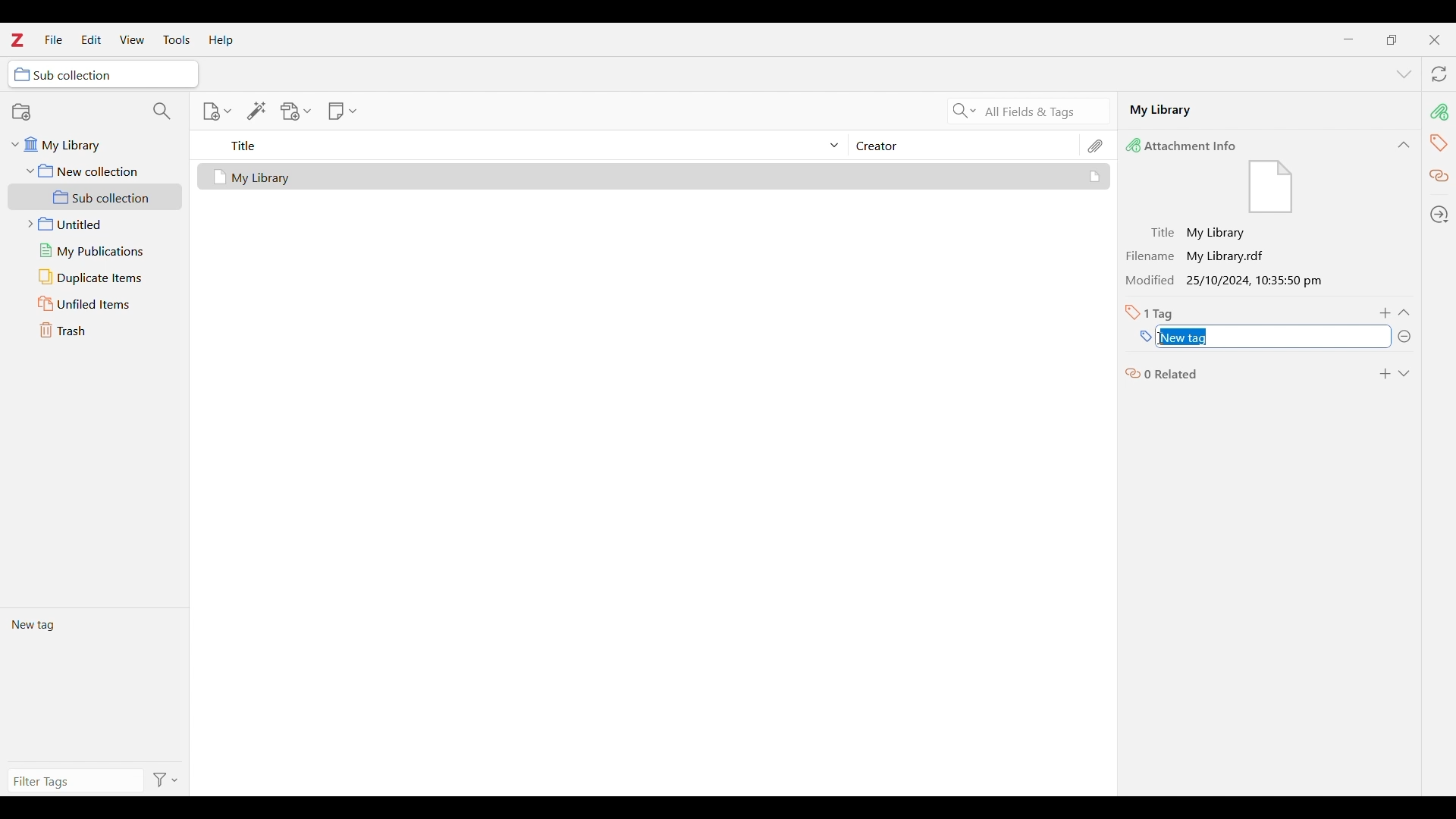  I want to click on Selected text highlighted, so click(1186, 337).